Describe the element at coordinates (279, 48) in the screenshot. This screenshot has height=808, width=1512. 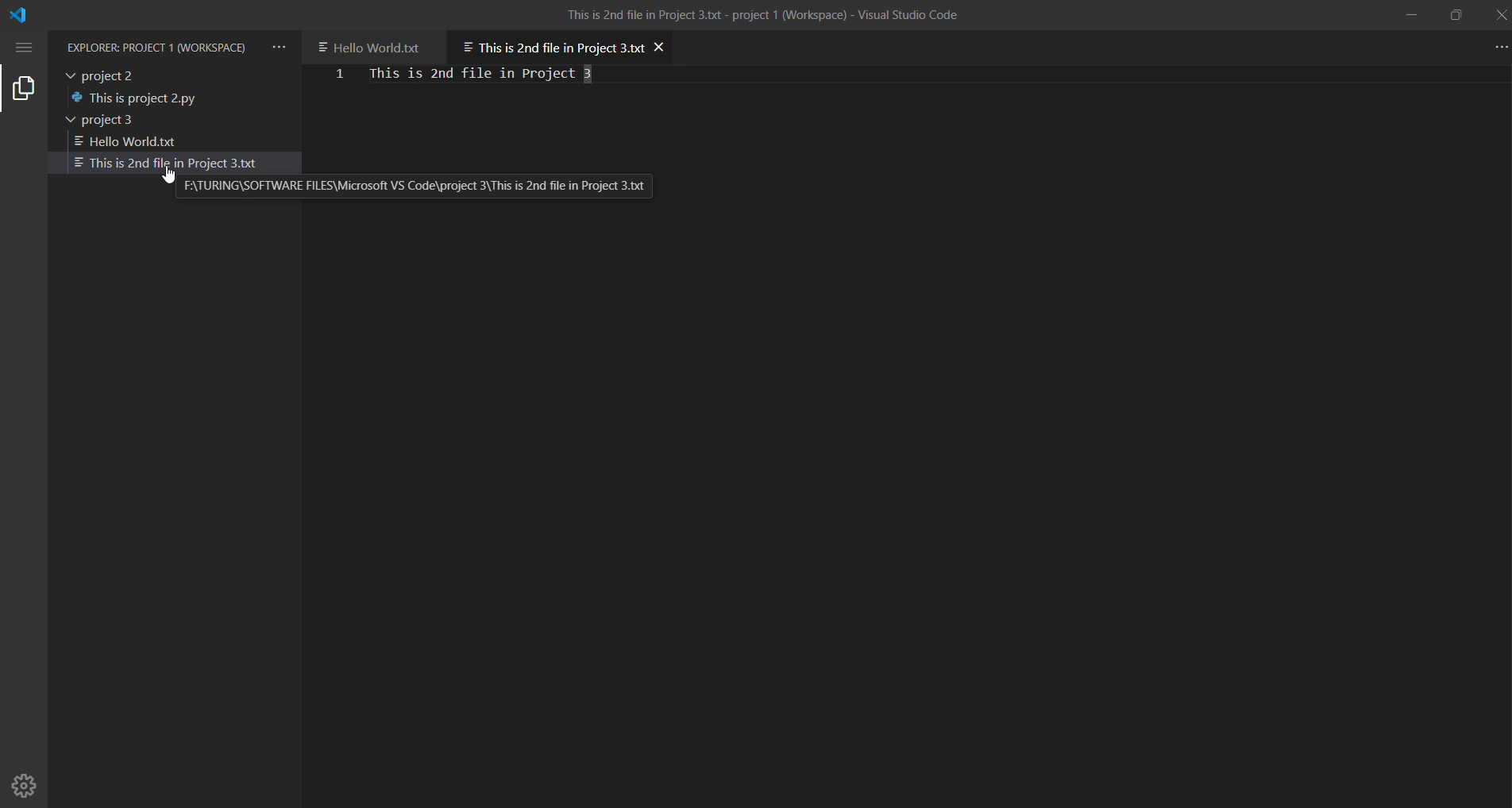
I see `views and more actions` at that location.